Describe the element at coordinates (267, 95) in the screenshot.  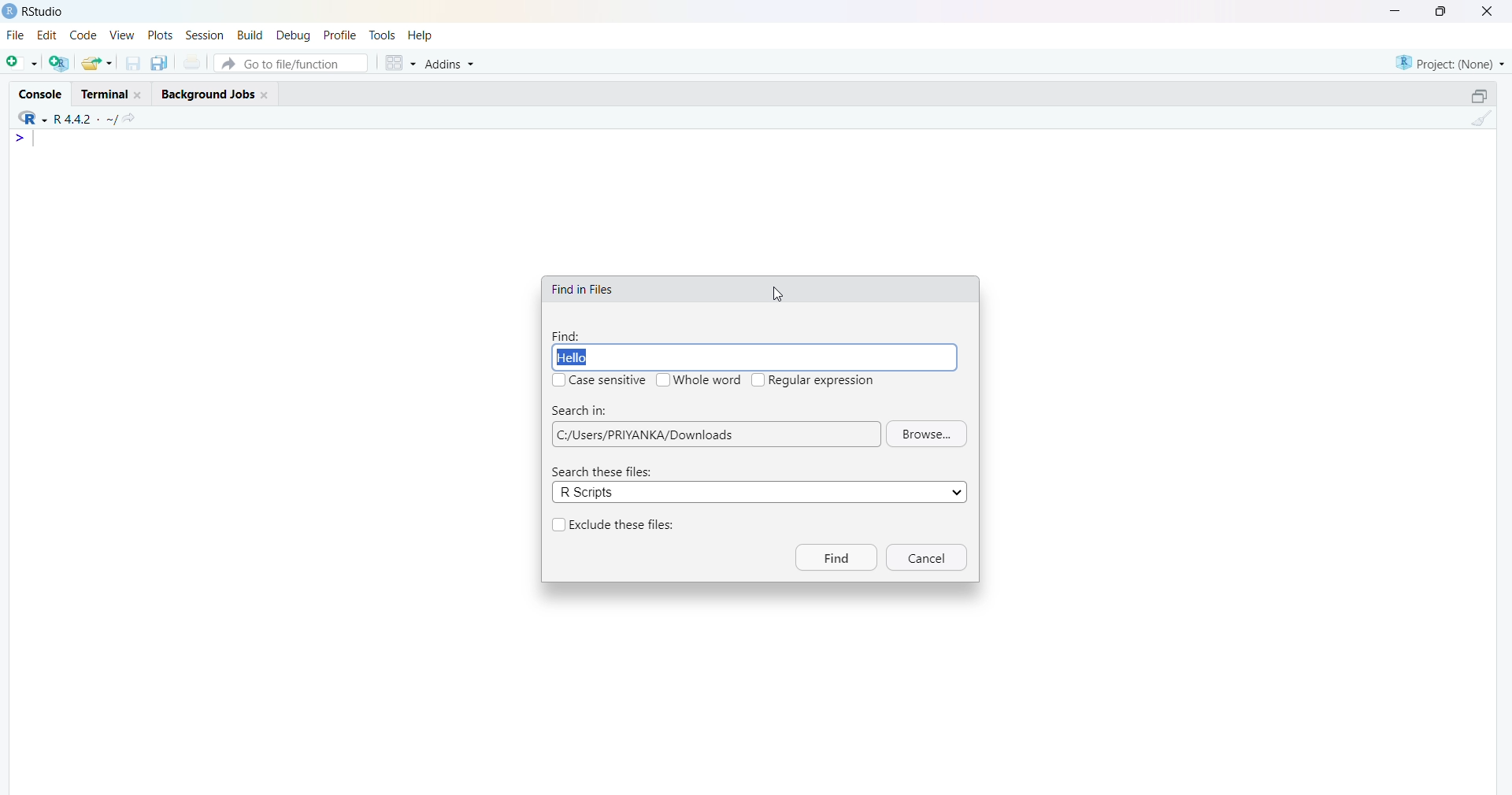
I see `close` at that location.